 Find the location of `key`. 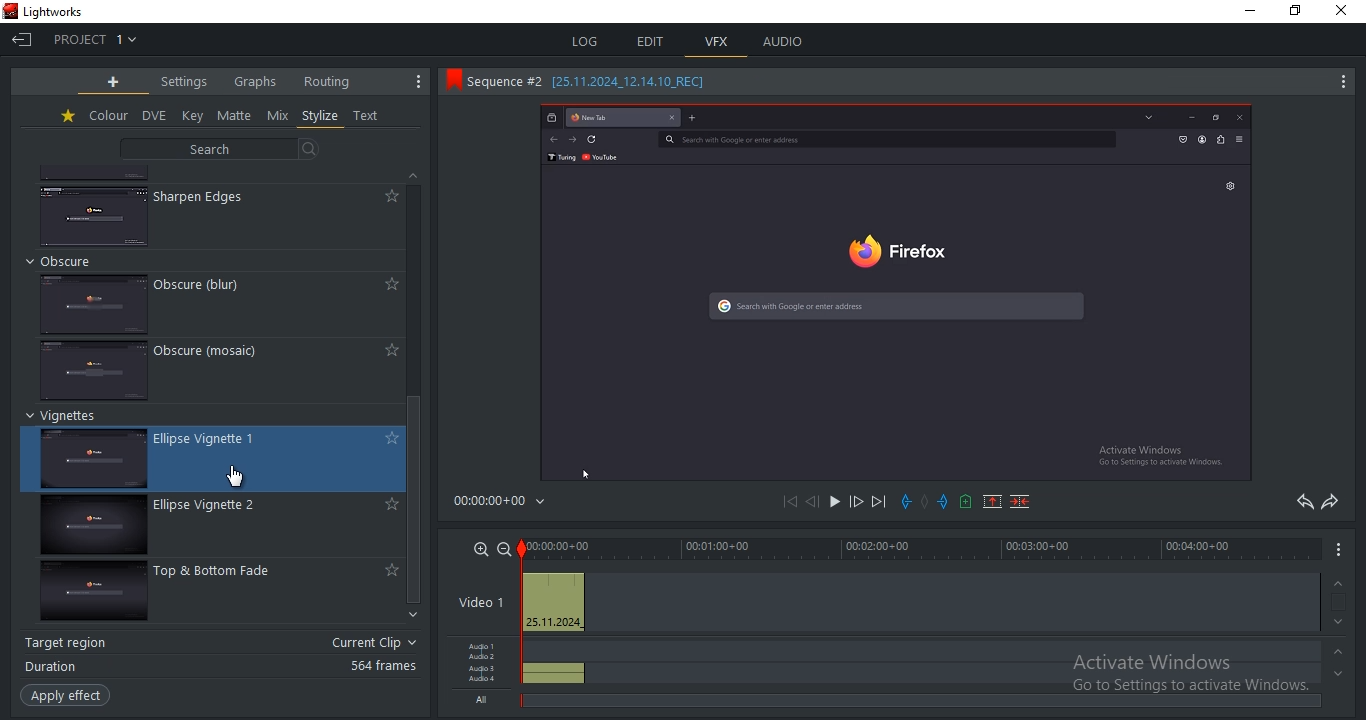

key is located at coordinates (193, 115).